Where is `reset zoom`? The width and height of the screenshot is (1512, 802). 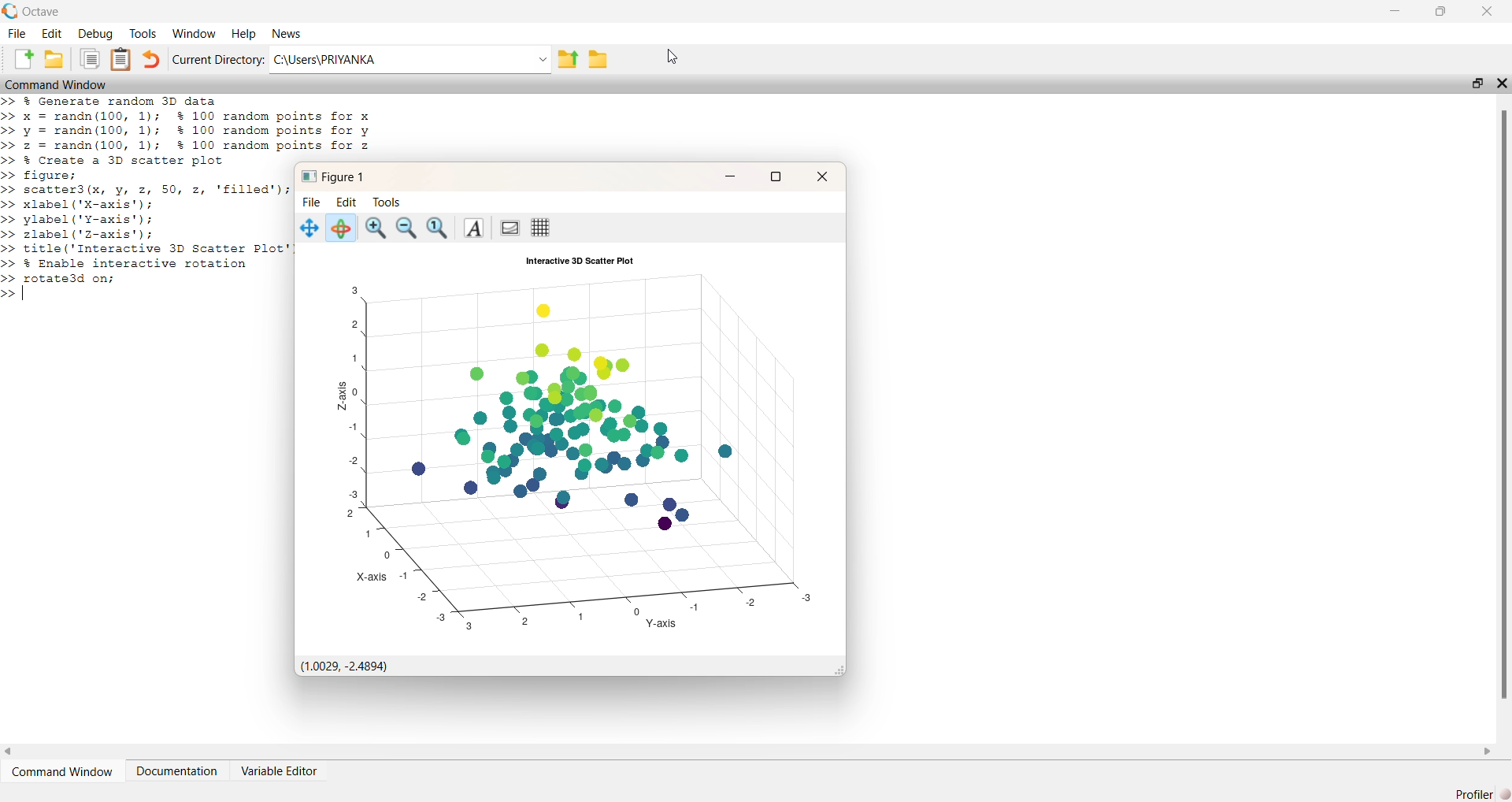 reset zoom is located at coordinates (439, 228).